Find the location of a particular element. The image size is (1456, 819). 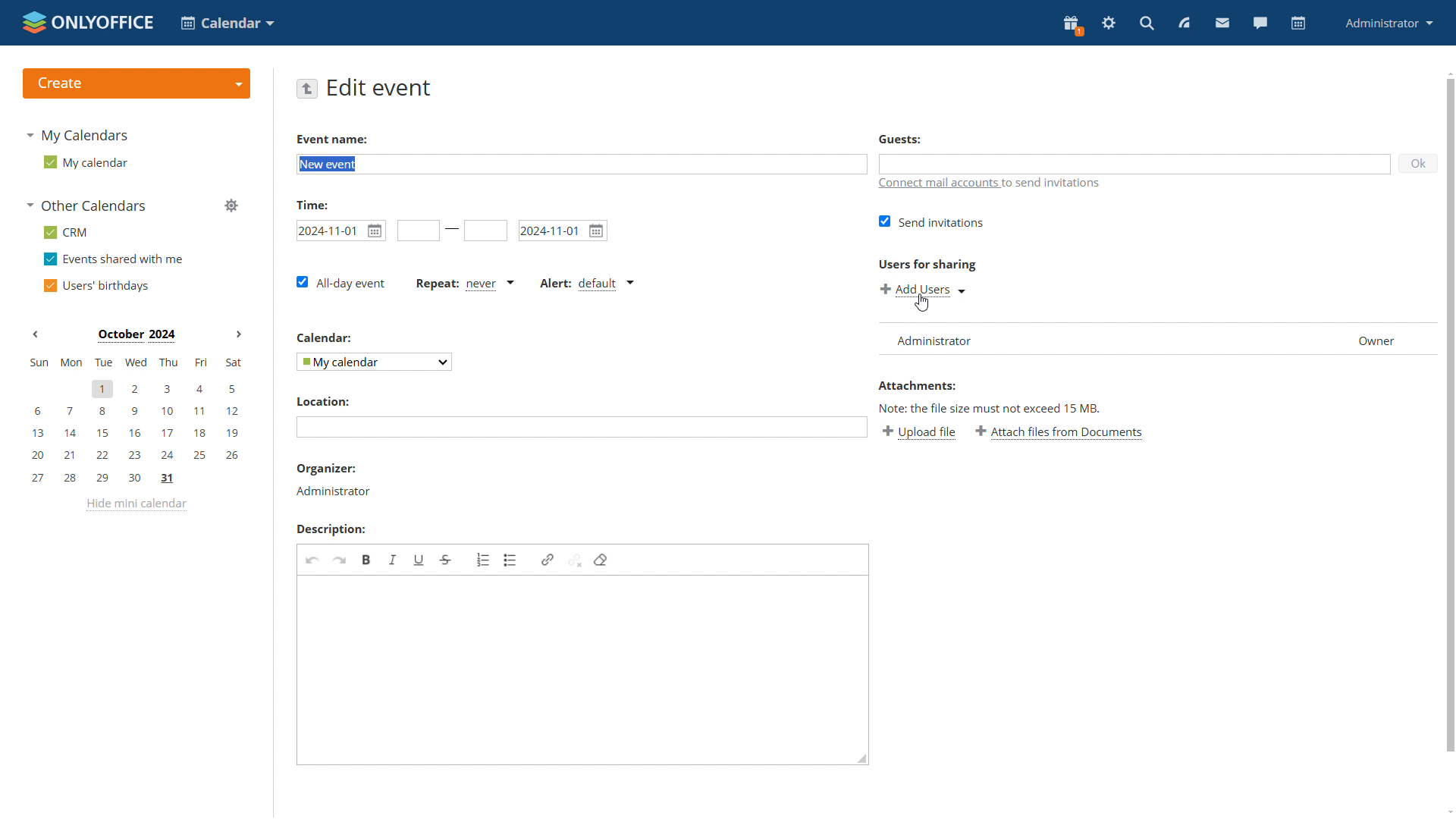

scrollbar is located at coordinates (1450, 416).